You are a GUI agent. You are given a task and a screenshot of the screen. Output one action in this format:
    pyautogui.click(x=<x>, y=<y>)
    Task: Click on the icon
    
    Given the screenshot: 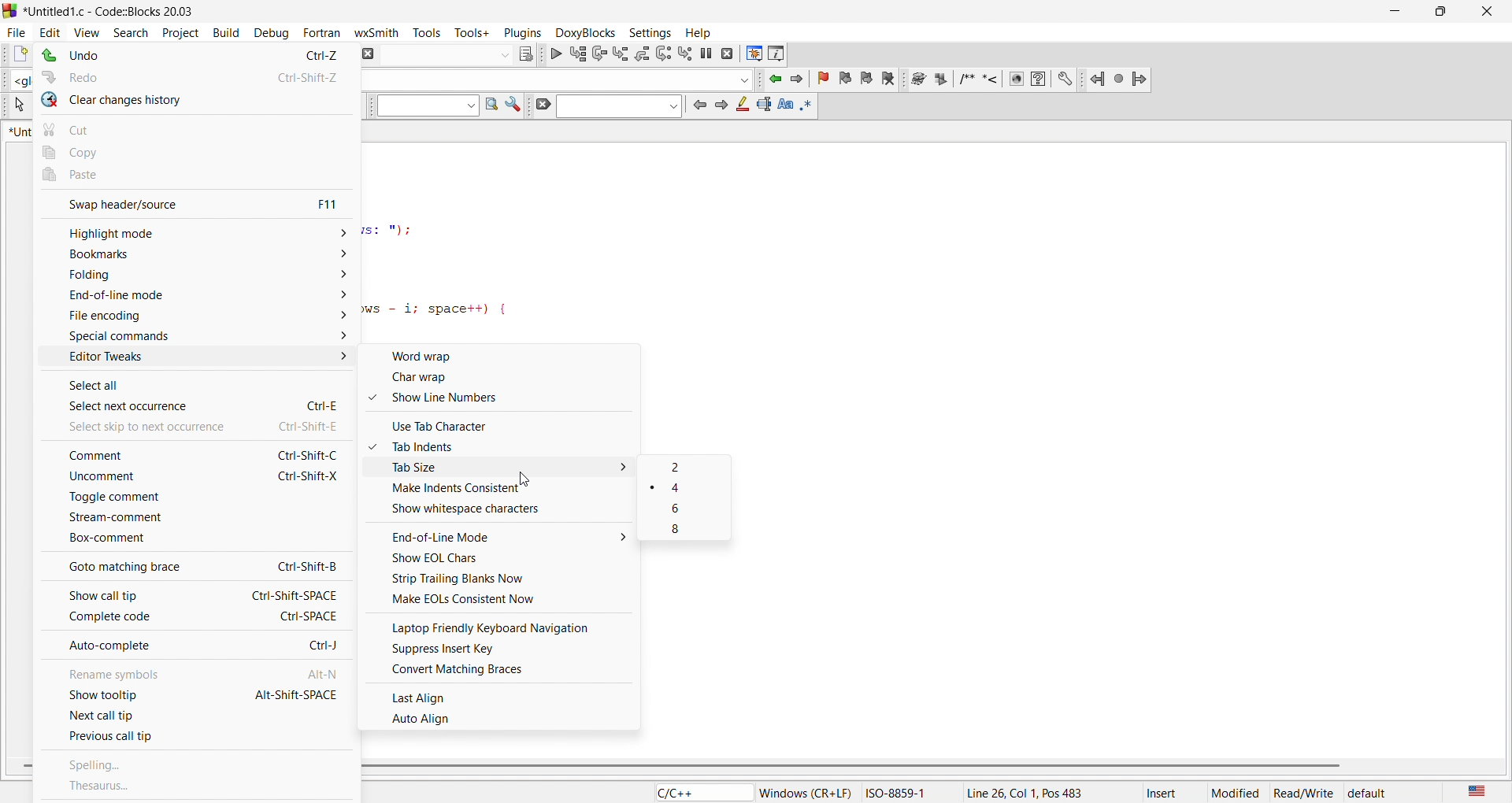 What is the action you would take?
    pyautogui.click(x=764, y=105)
    